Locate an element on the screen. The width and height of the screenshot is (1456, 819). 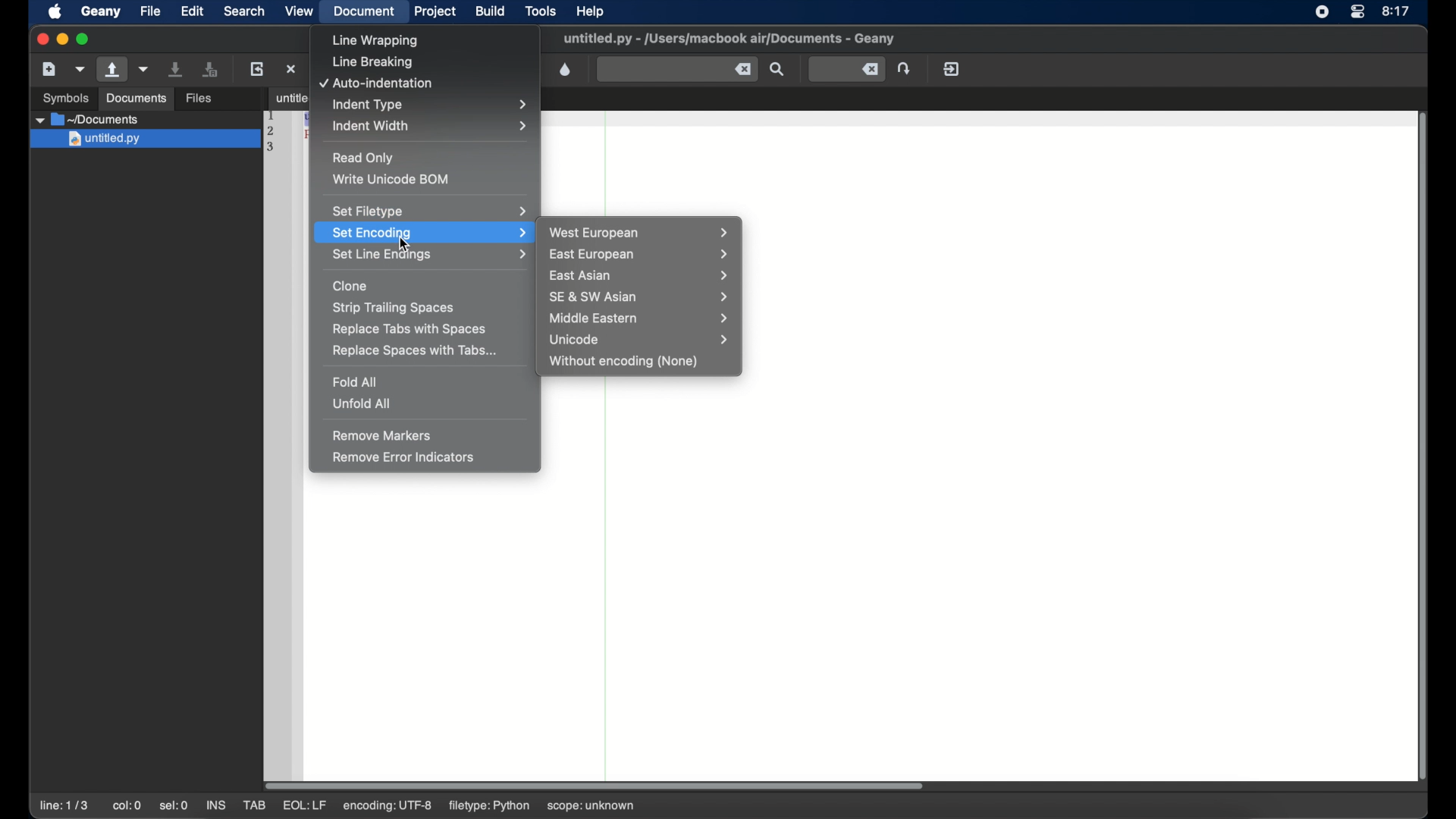
replace tabs with spaces is located at coordinates (410, 329).